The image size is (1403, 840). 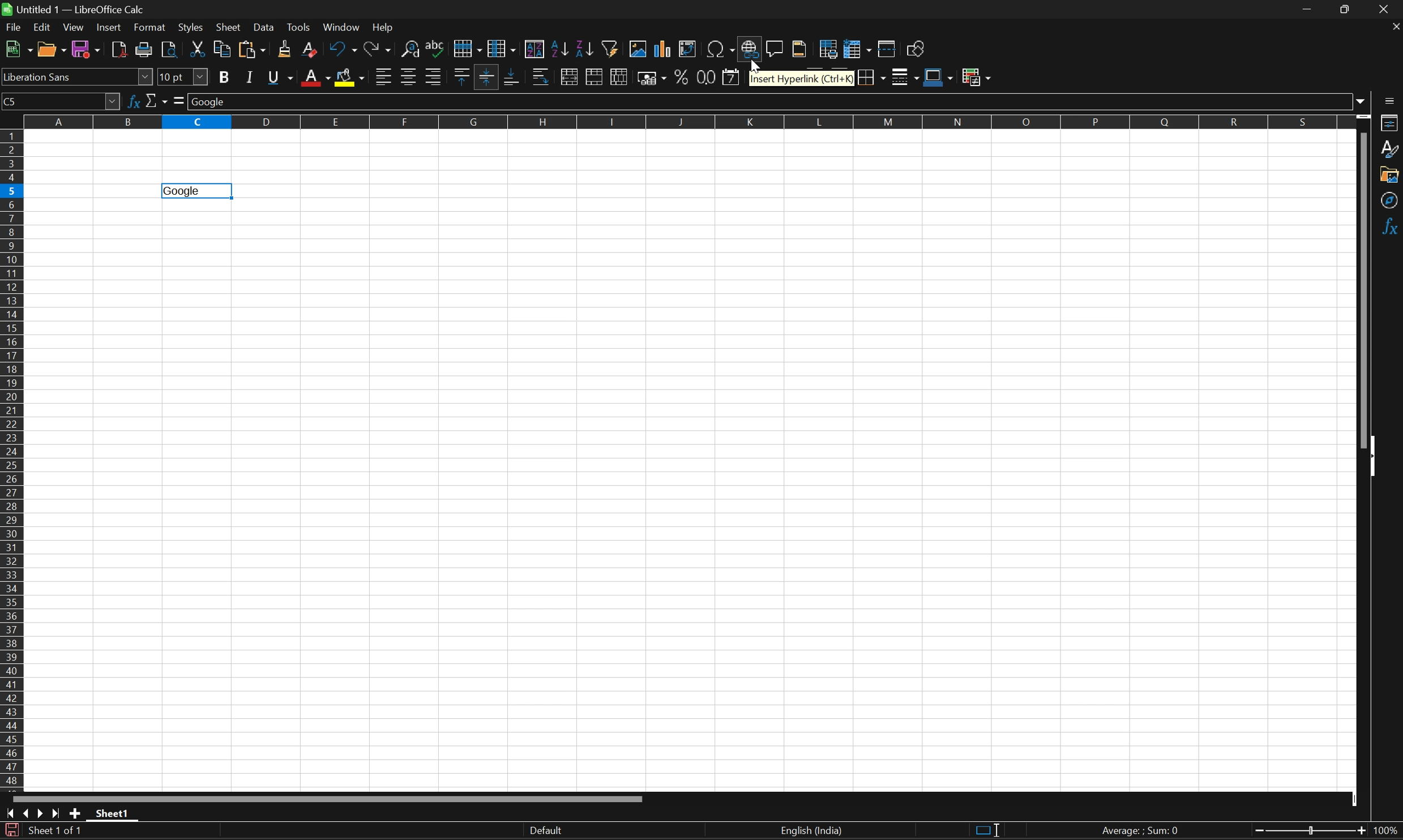 What do you see at coordinates (341, 27) in the screenshot?
I see `Windows` at bounding box center [341, 27].